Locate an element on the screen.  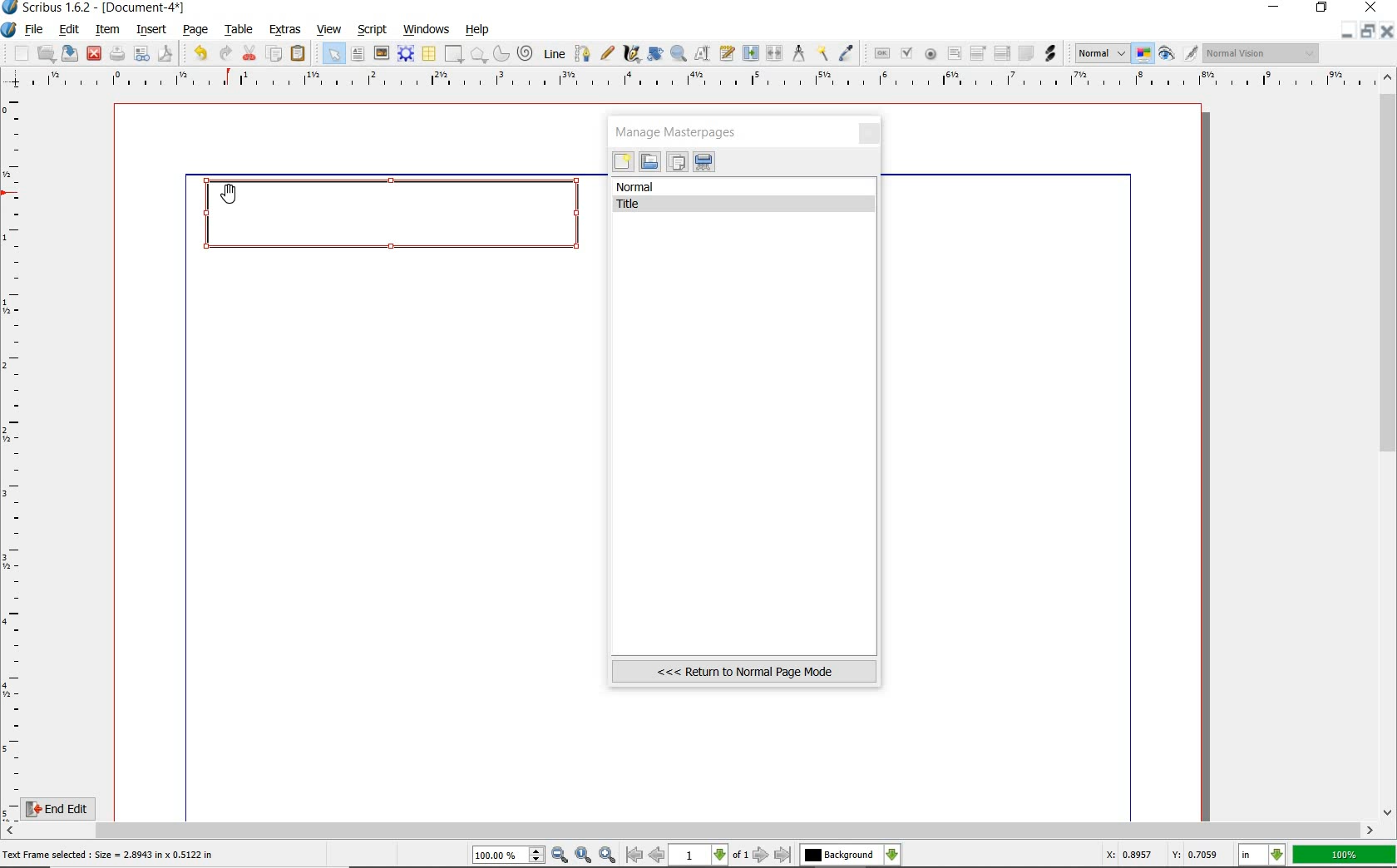
file is located at coordinates (35, 30).